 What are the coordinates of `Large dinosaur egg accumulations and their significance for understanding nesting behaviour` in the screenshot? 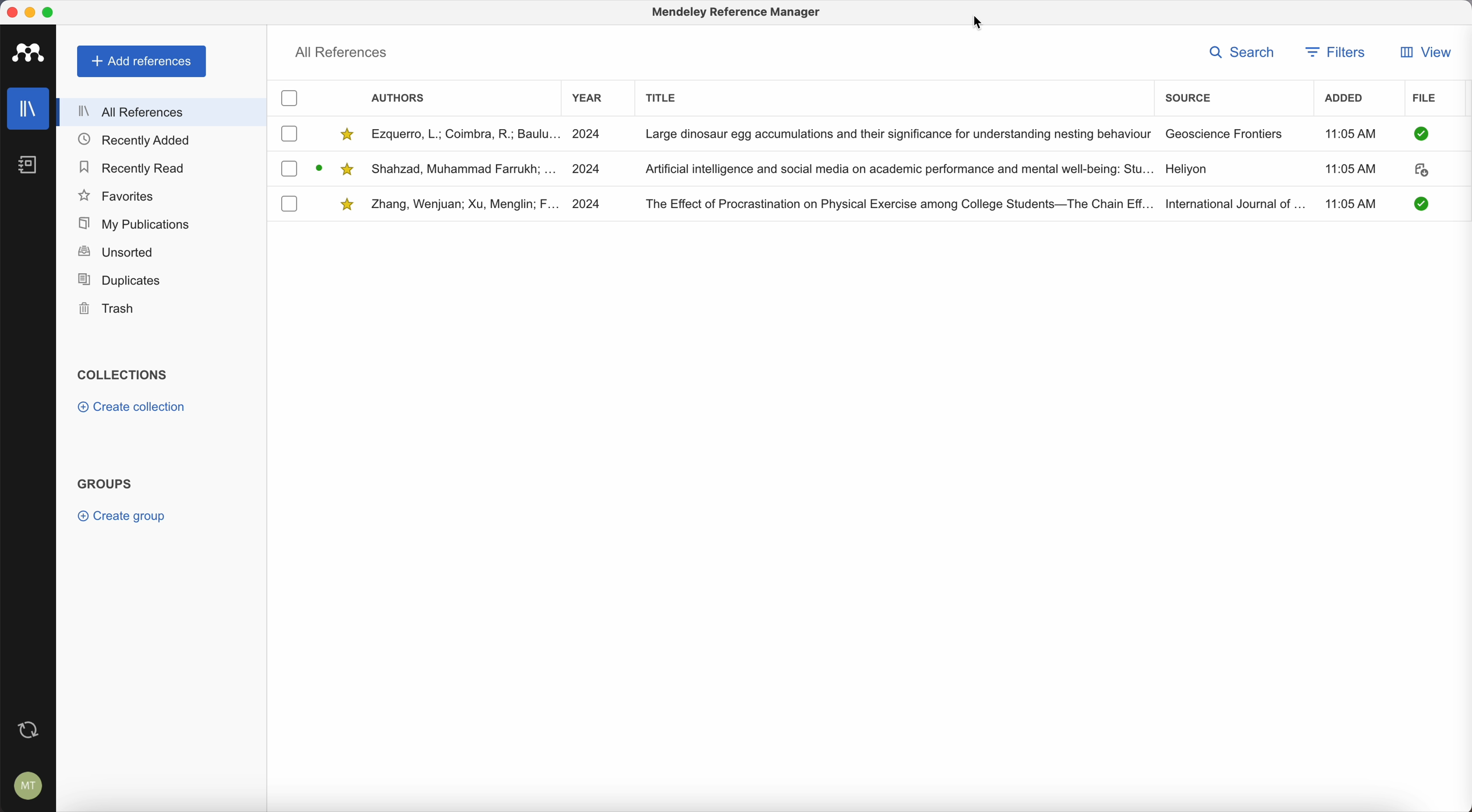 It's located at (897, 133).